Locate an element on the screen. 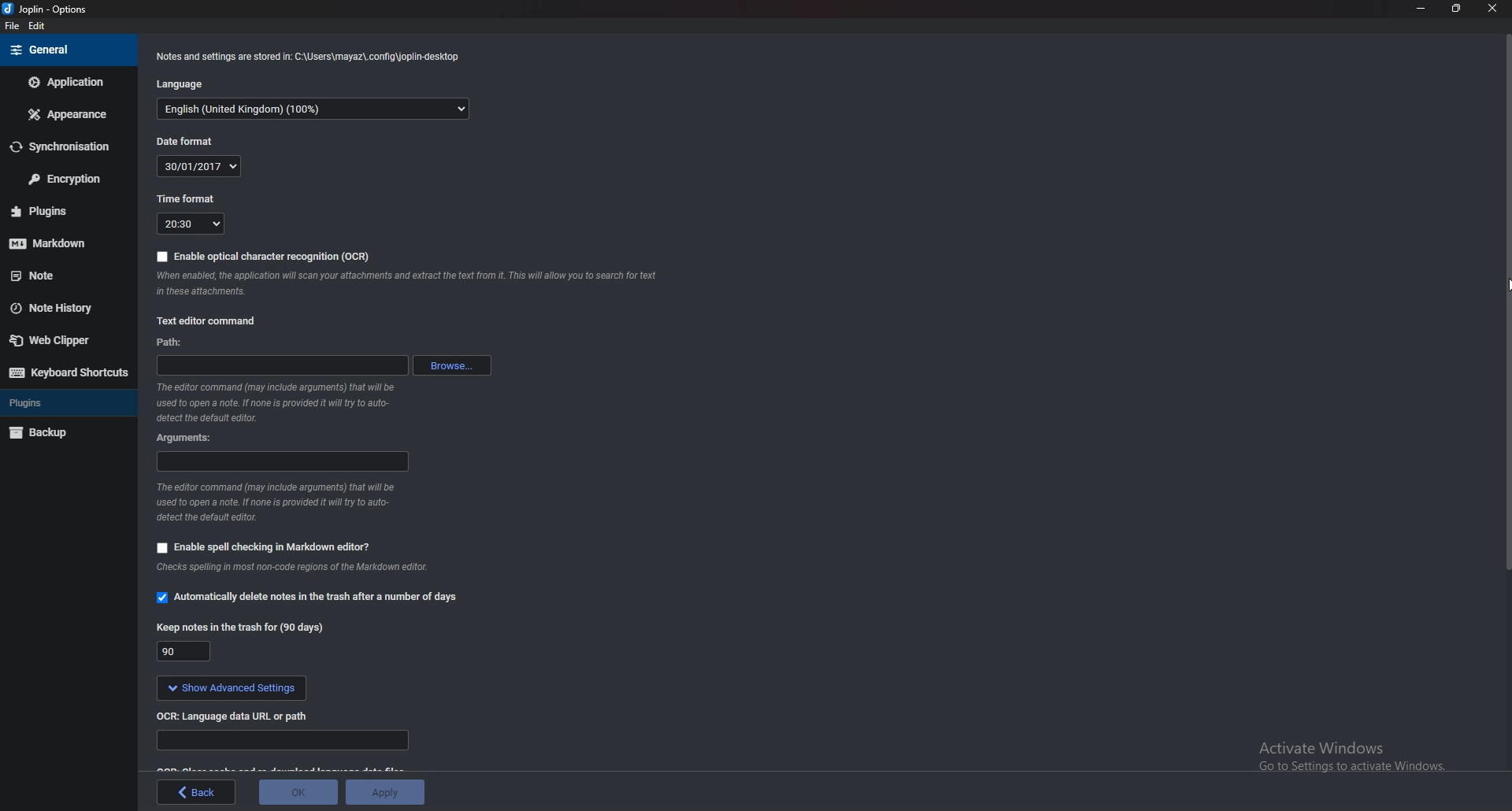 This screenshot has width=1512, height=811. Note history is located at coordinates (66, 306).